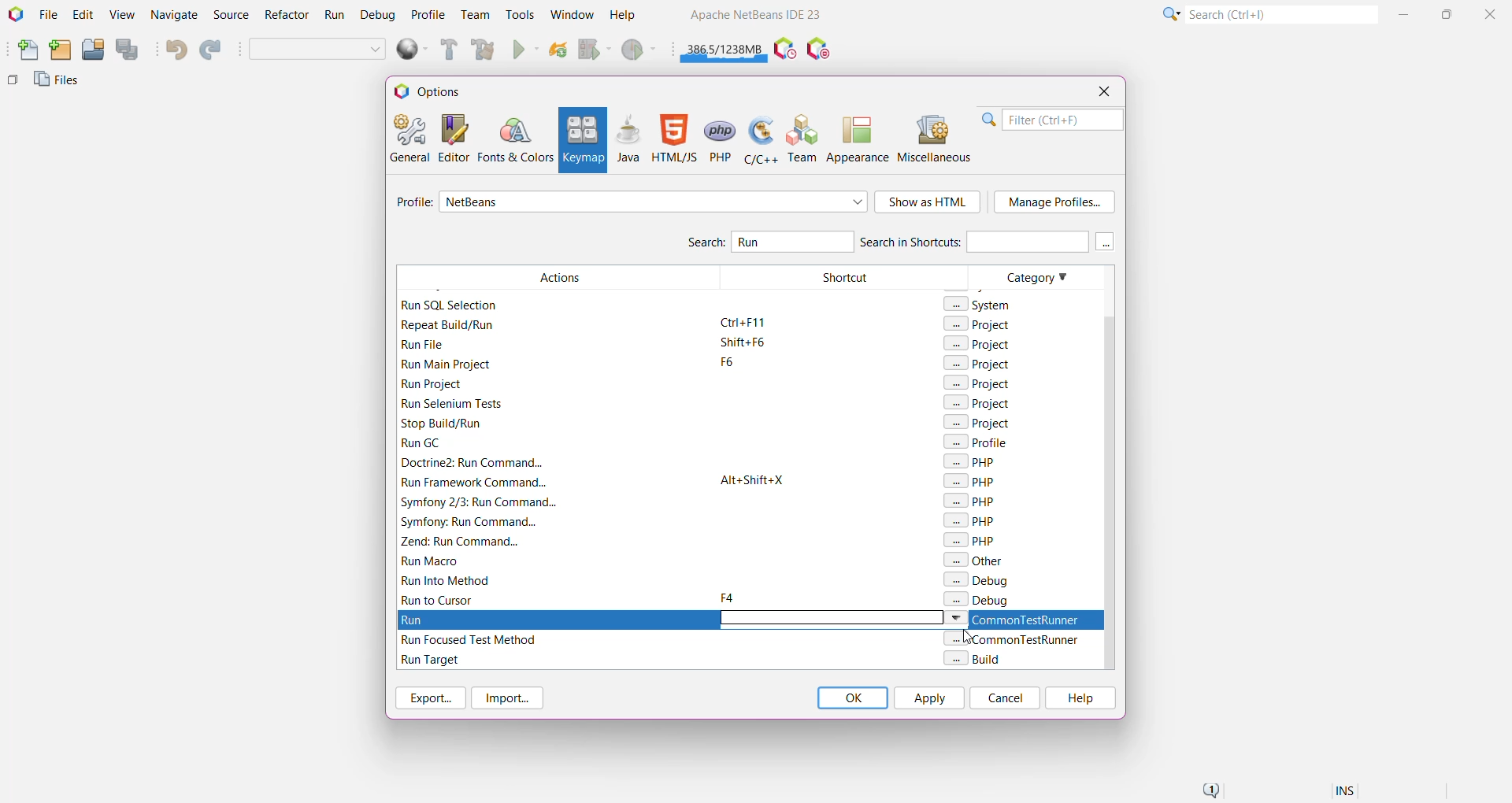  Describe the element at coordinates (845, 436) in the screenshot. I see `Shortcut` at that location.